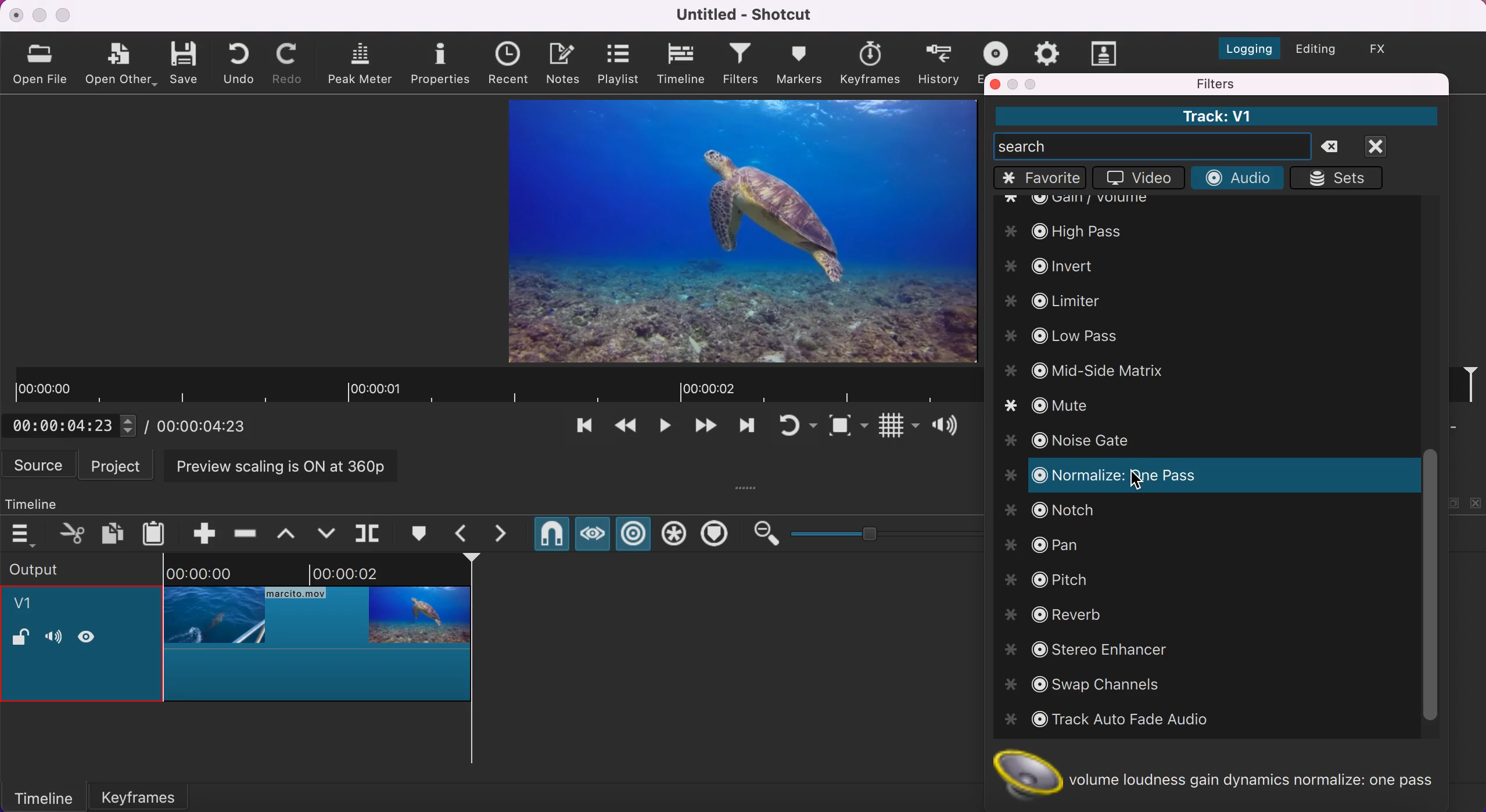 This screenshot has width=1486, height=812. Describe the element at coordinates (897, 428) in the screenshot. I see `toggle grid display on the player` at that location.